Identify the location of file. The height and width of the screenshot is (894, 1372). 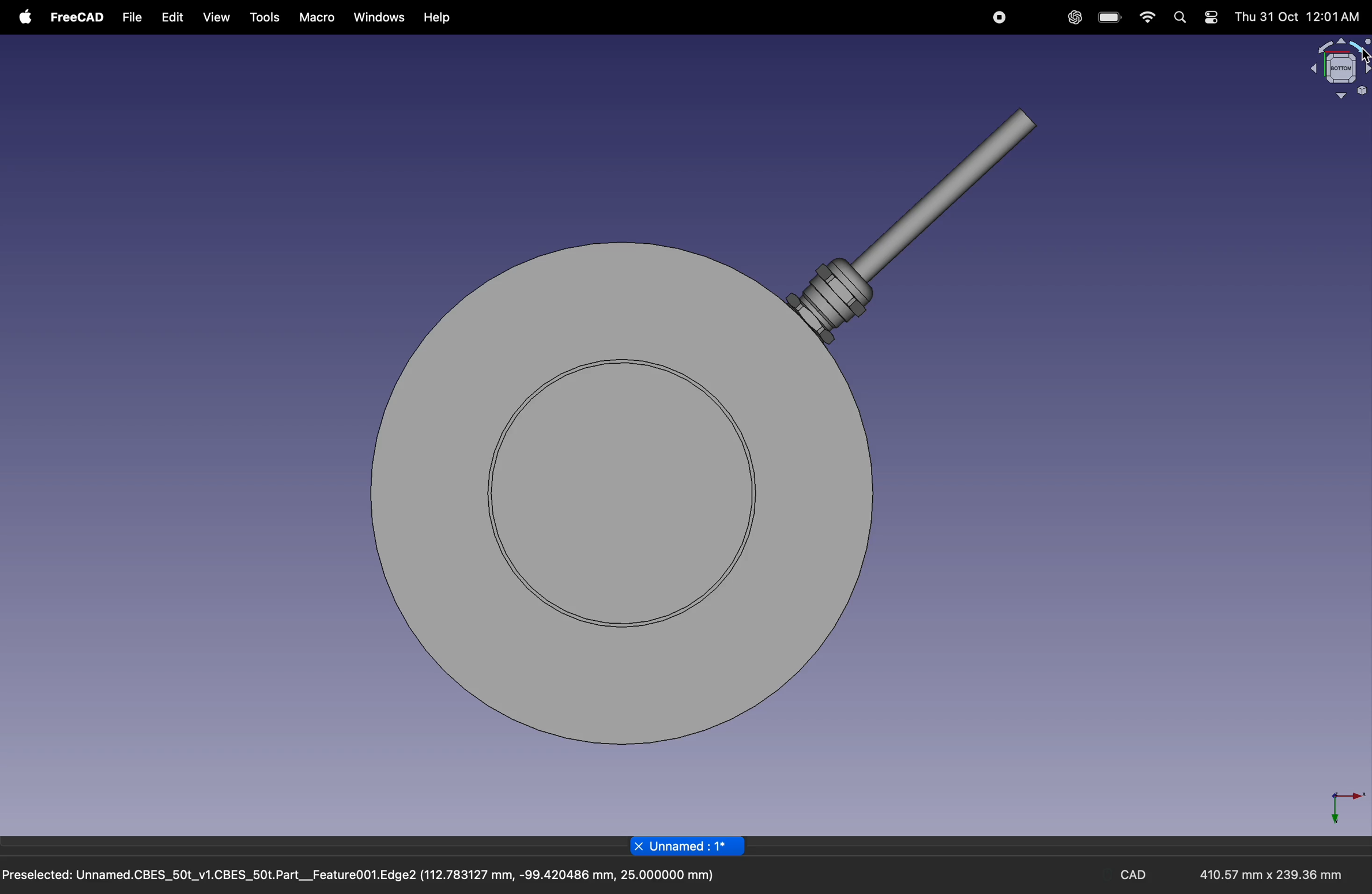
(130, 16).